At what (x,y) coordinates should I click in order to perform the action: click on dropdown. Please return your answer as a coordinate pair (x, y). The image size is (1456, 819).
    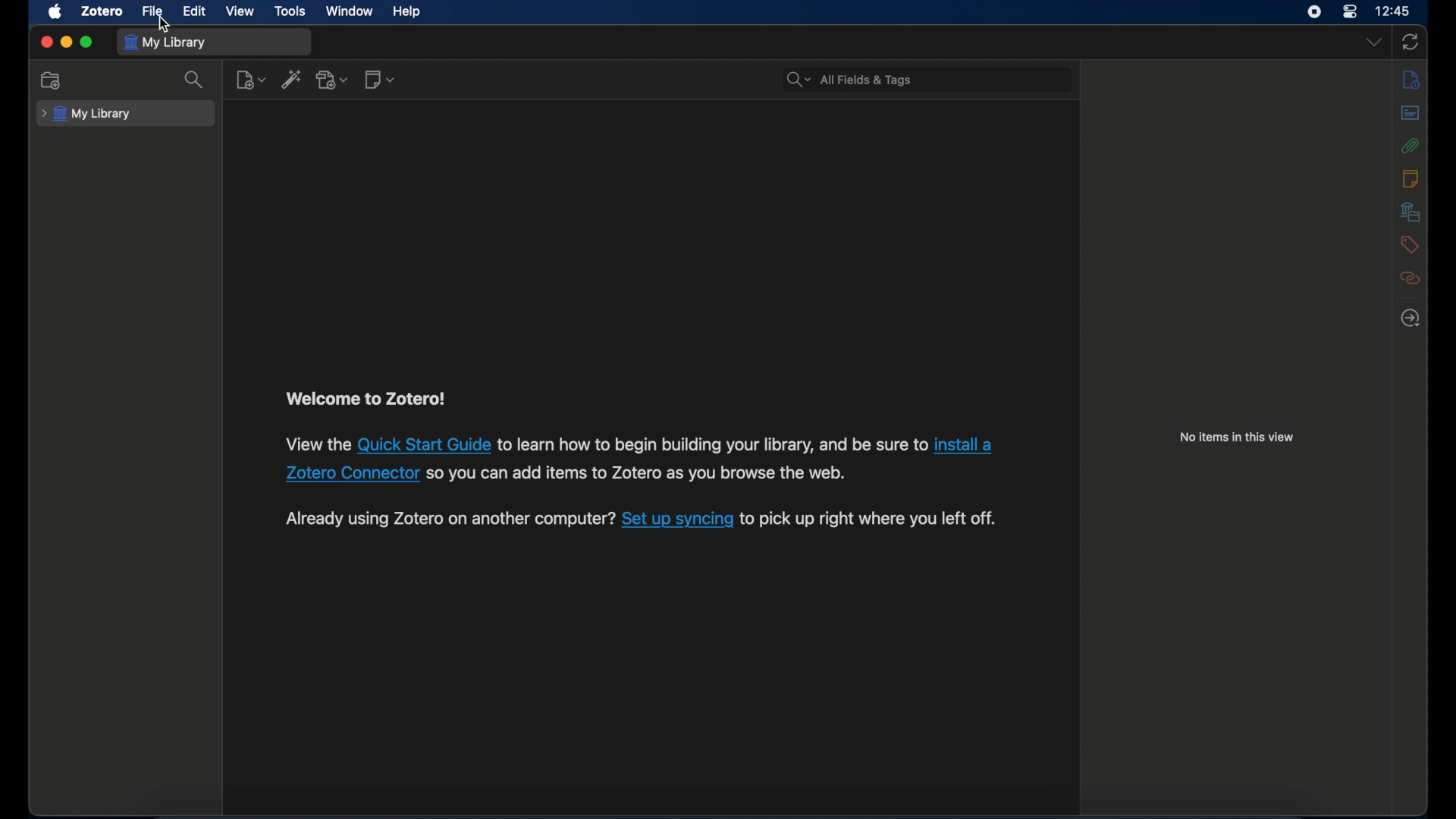
    Looking at the image, I should click on (1374, 41).